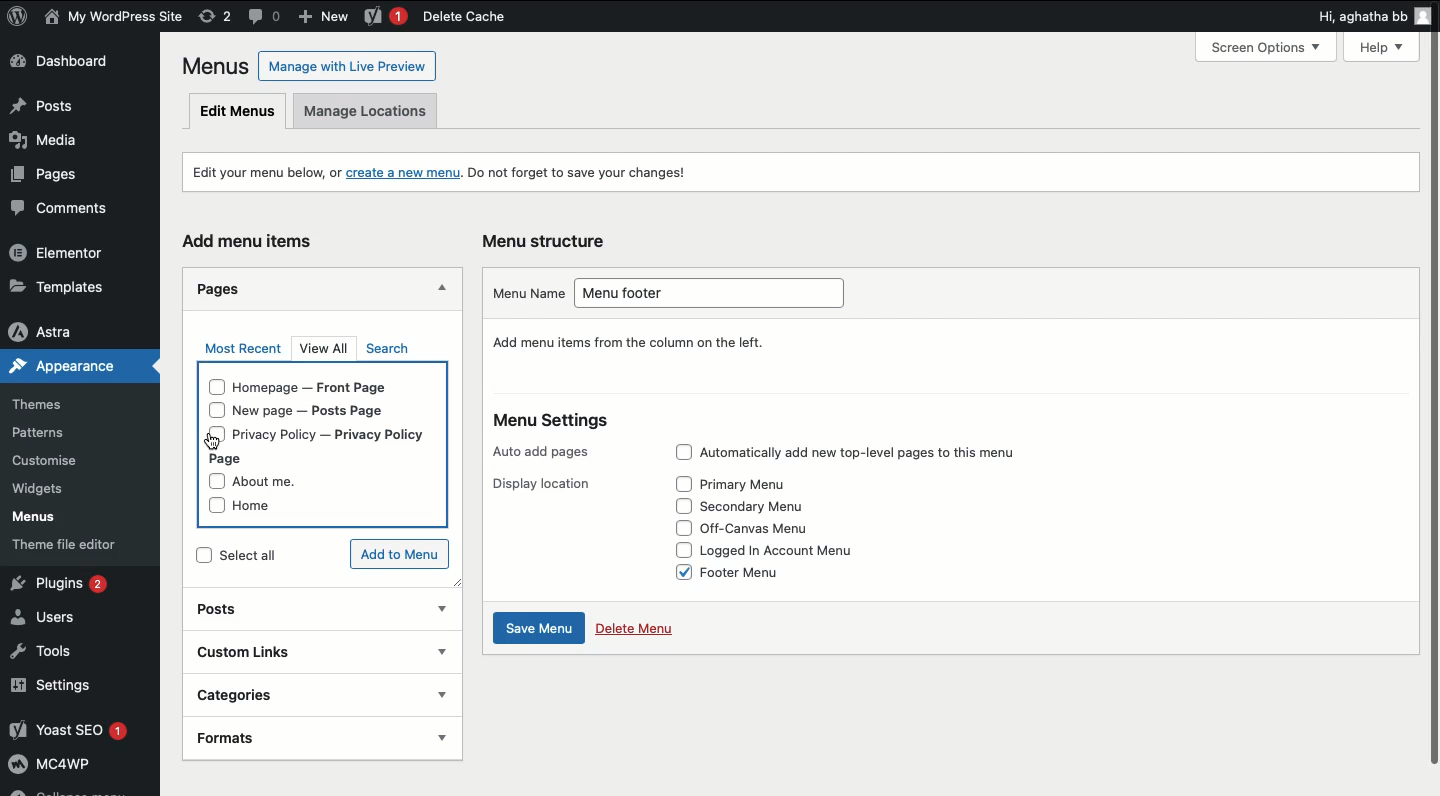 Image resolution: width=1440 pixels, height=796 pixels. What do you see at coordinates (386, 349) in the screenshot?
I see `Search` at bounding box center [386, 349].